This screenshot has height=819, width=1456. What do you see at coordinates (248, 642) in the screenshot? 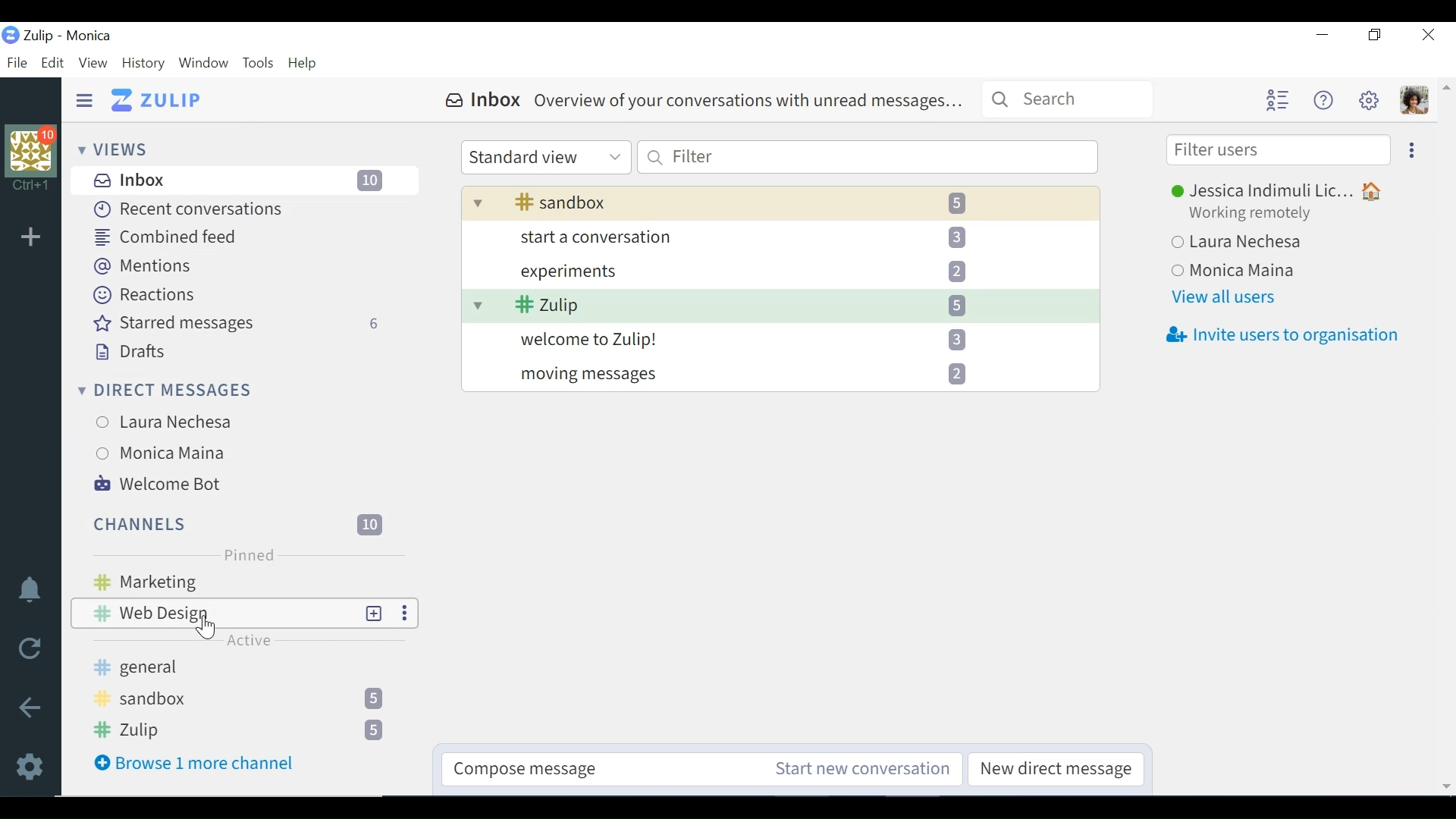
I see `Active label` at bounding box center [248, 642].